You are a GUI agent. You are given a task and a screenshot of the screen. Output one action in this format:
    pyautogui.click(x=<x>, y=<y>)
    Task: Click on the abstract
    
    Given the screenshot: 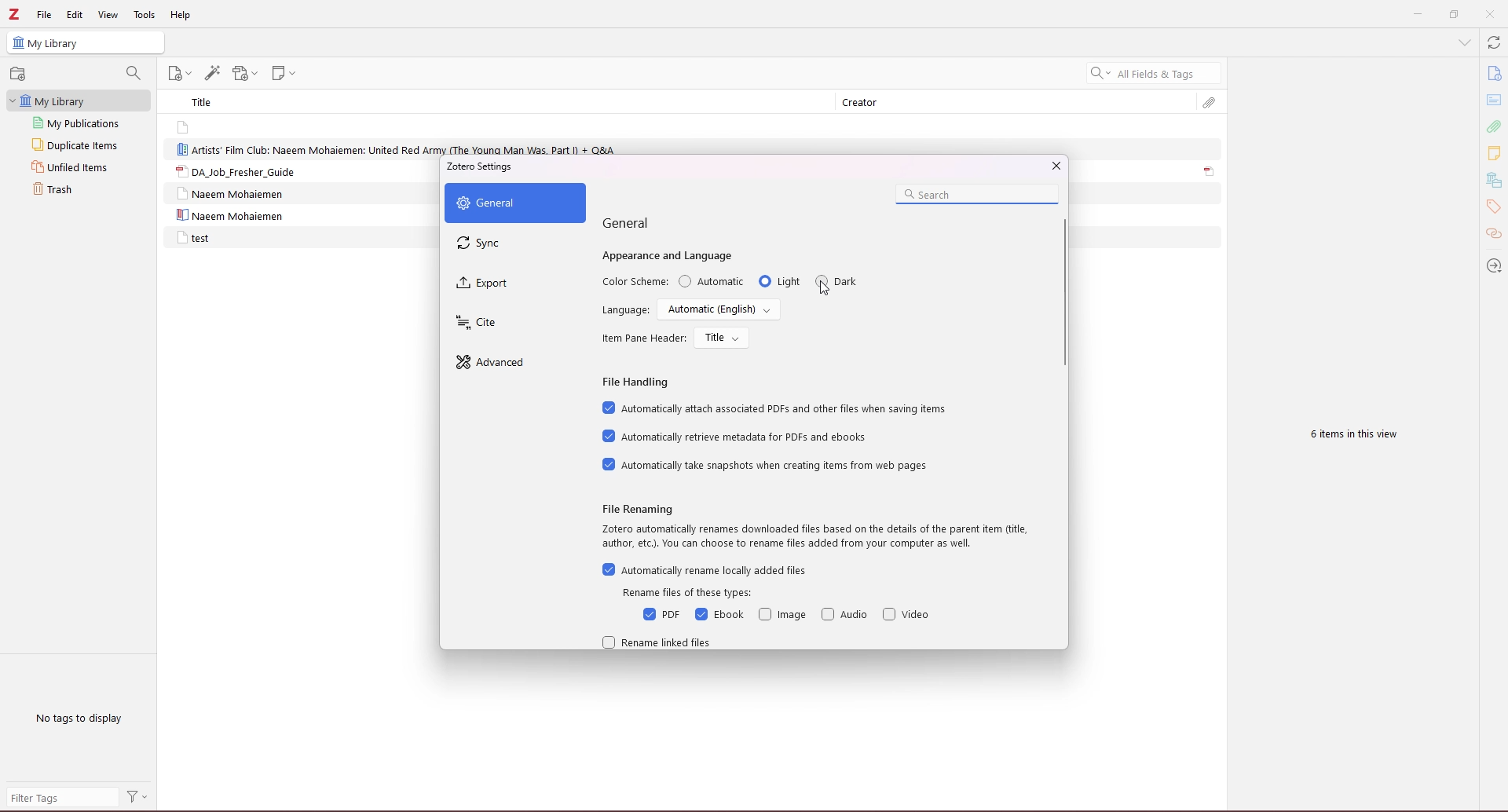 What is the action you would take?
    pyautogui.click(x=1495, y=101)
    